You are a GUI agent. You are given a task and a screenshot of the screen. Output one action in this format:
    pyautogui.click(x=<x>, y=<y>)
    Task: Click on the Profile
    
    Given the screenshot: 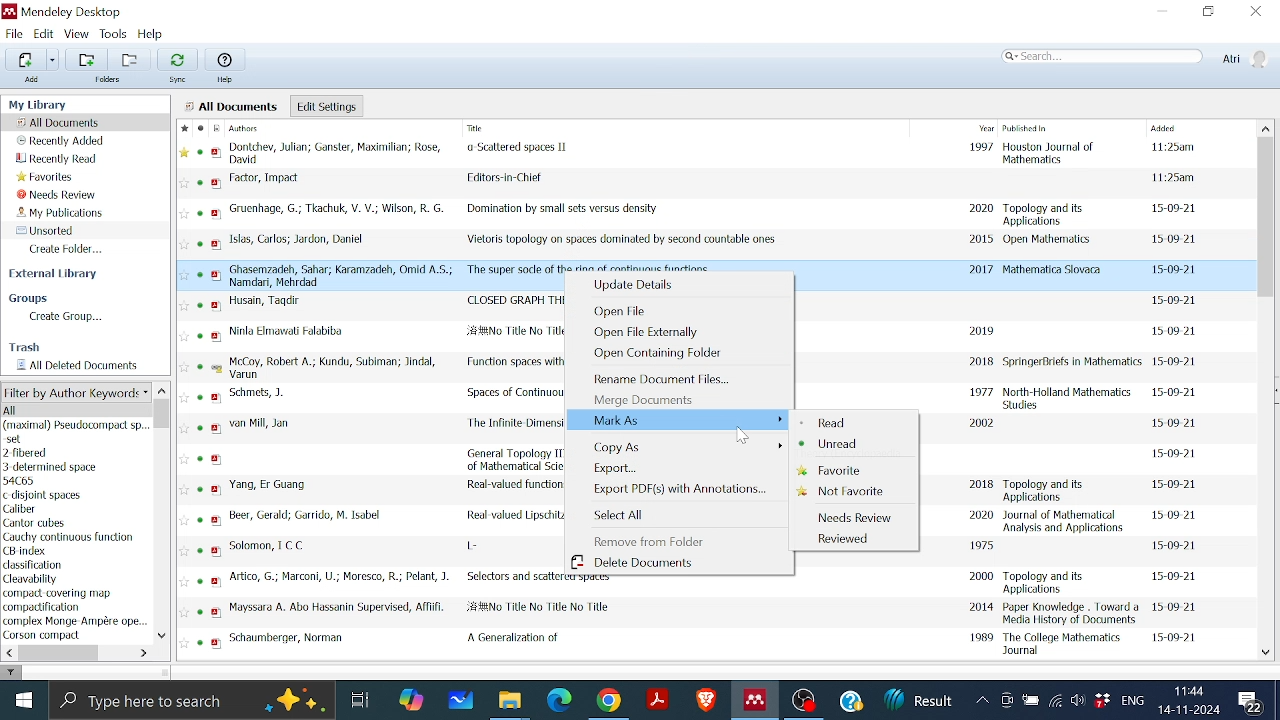 What is the action you would take?
    pyautogui.click(x=1245, y=58)
    